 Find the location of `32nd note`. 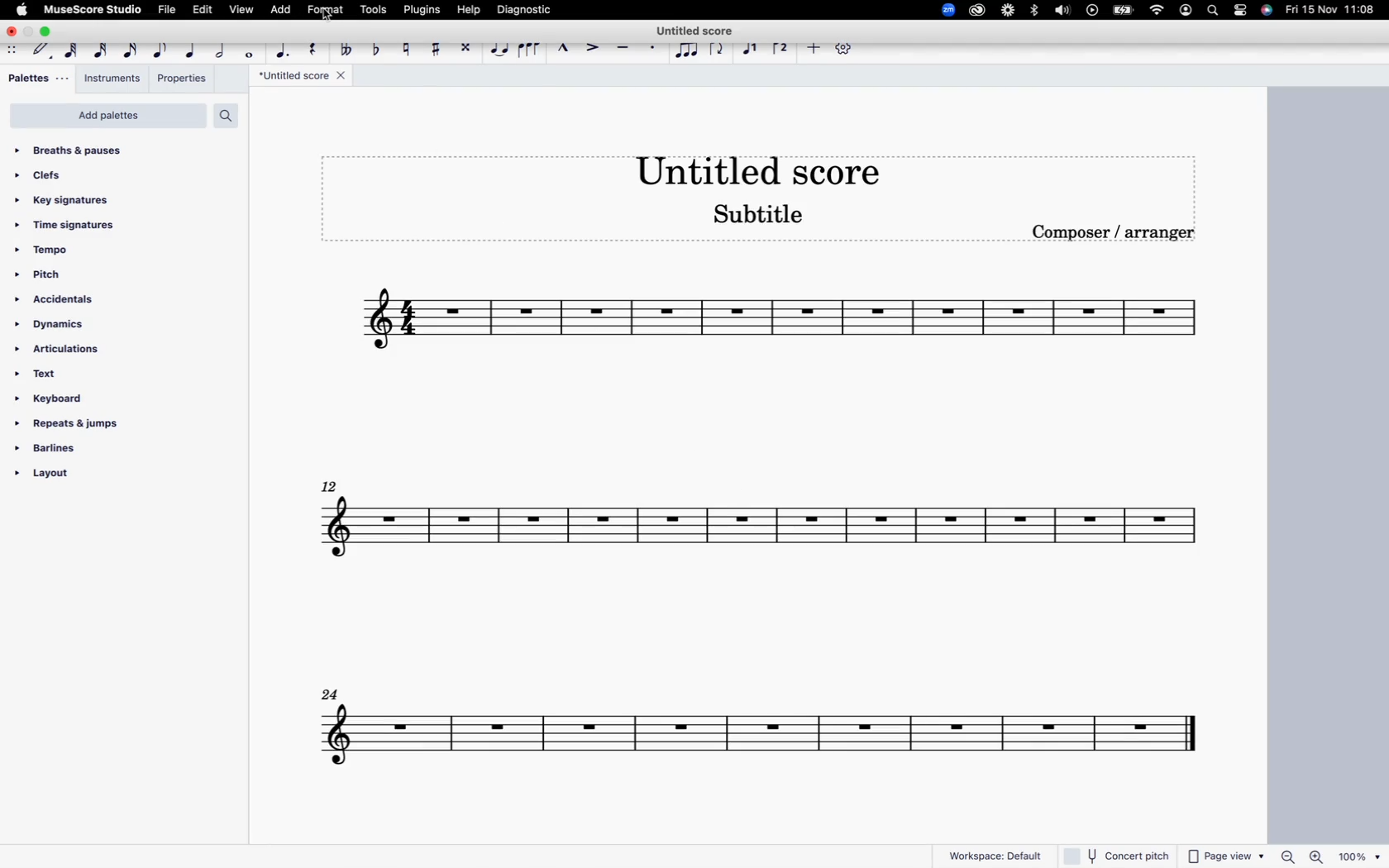

32nd note is located at coordinates (100, 50).